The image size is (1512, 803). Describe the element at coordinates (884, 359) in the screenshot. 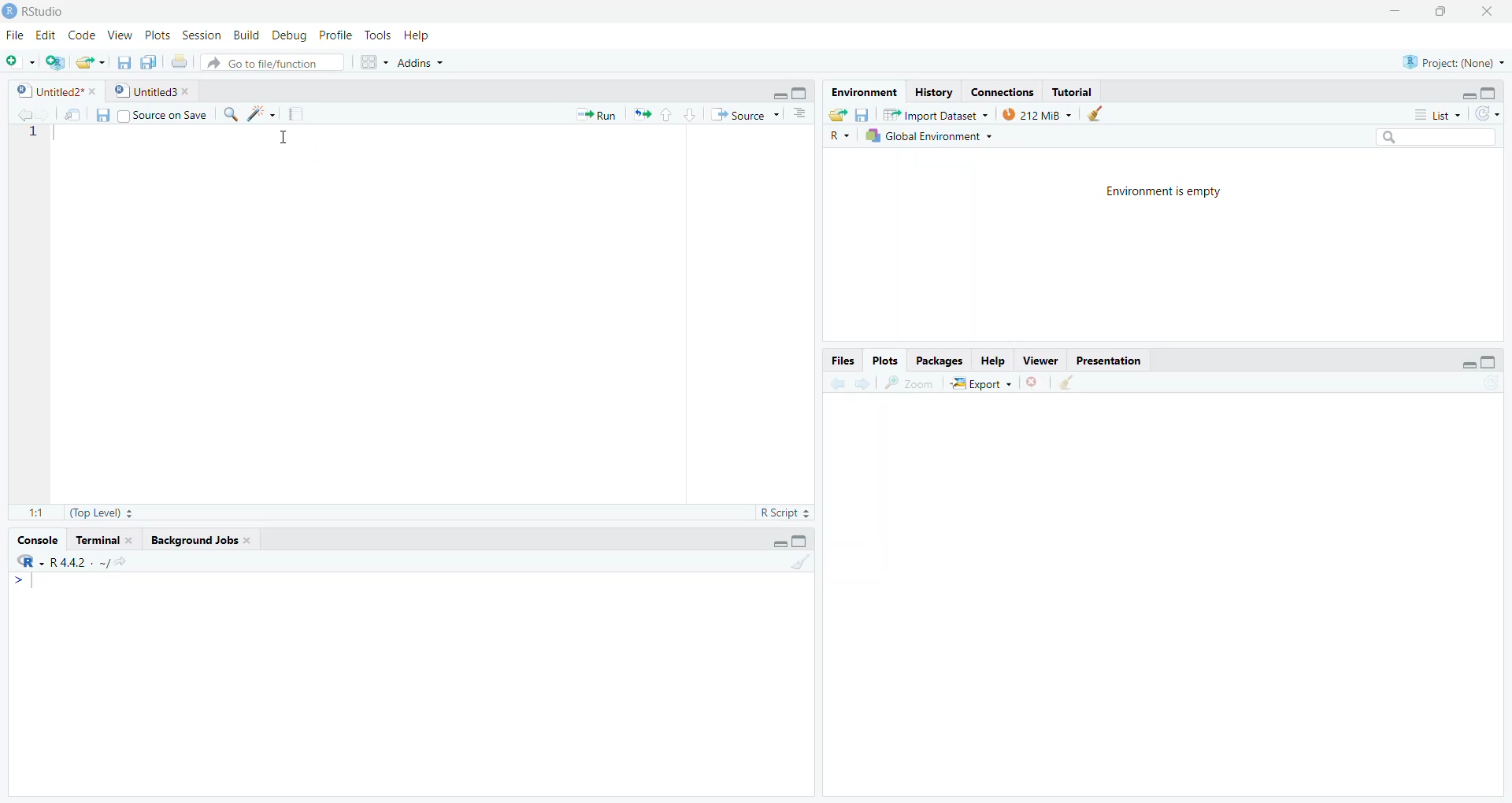

I see `plots` at that location.